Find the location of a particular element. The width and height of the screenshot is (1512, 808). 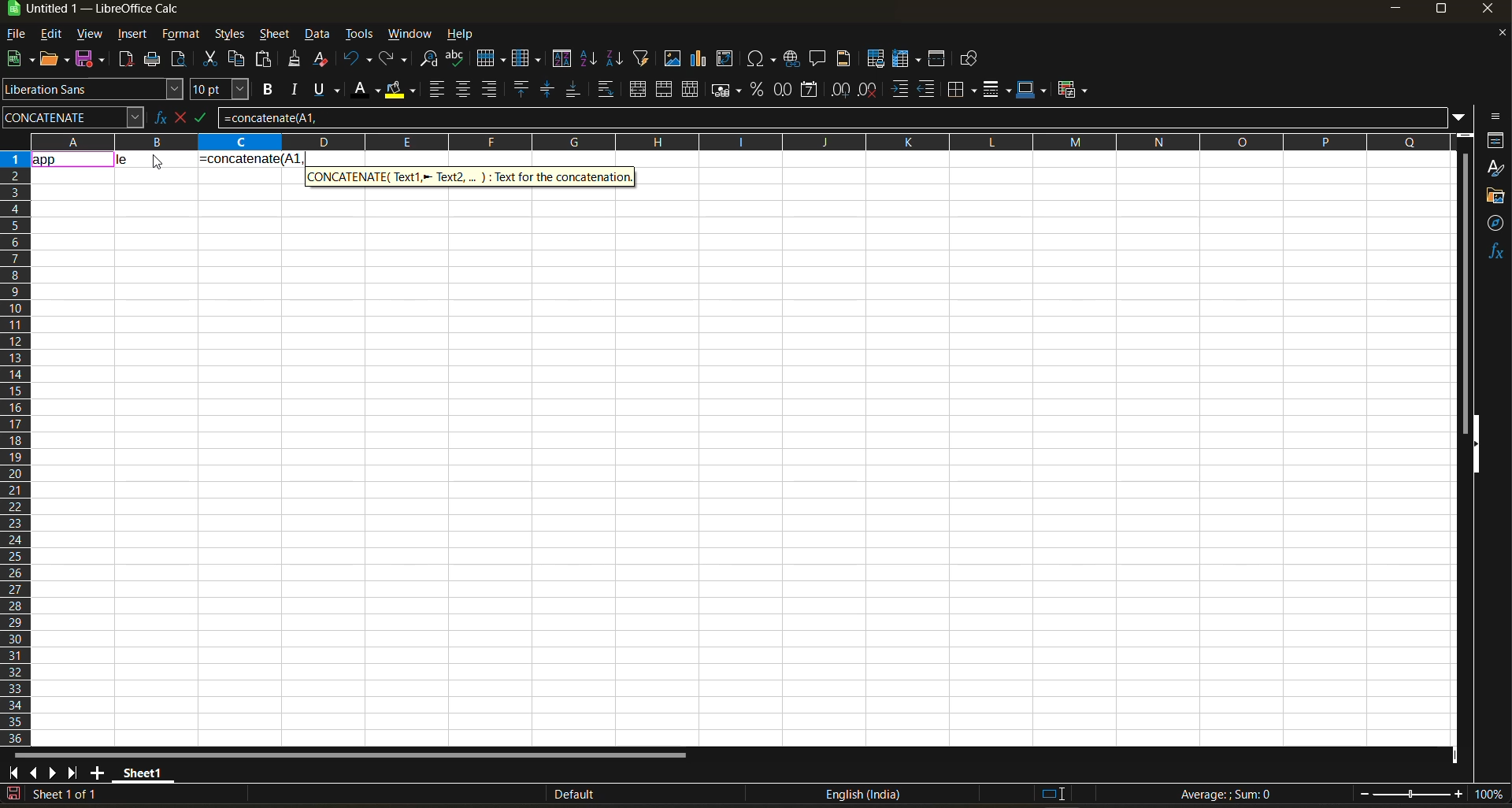

add decimal place is located at coordinates (840, 91).